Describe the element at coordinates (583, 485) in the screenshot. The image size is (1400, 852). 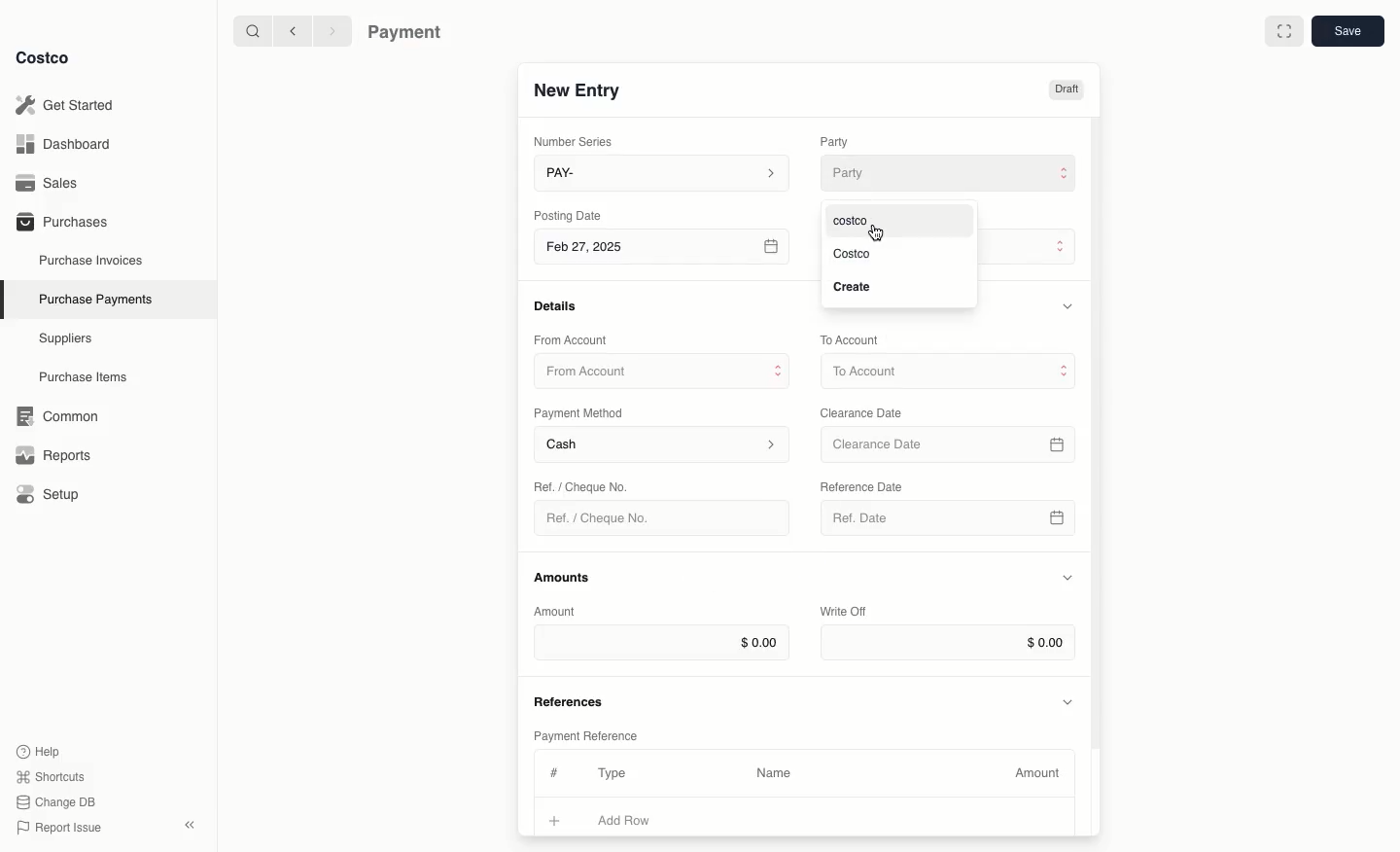
I see `Ret. / Cheque No.` at that location.